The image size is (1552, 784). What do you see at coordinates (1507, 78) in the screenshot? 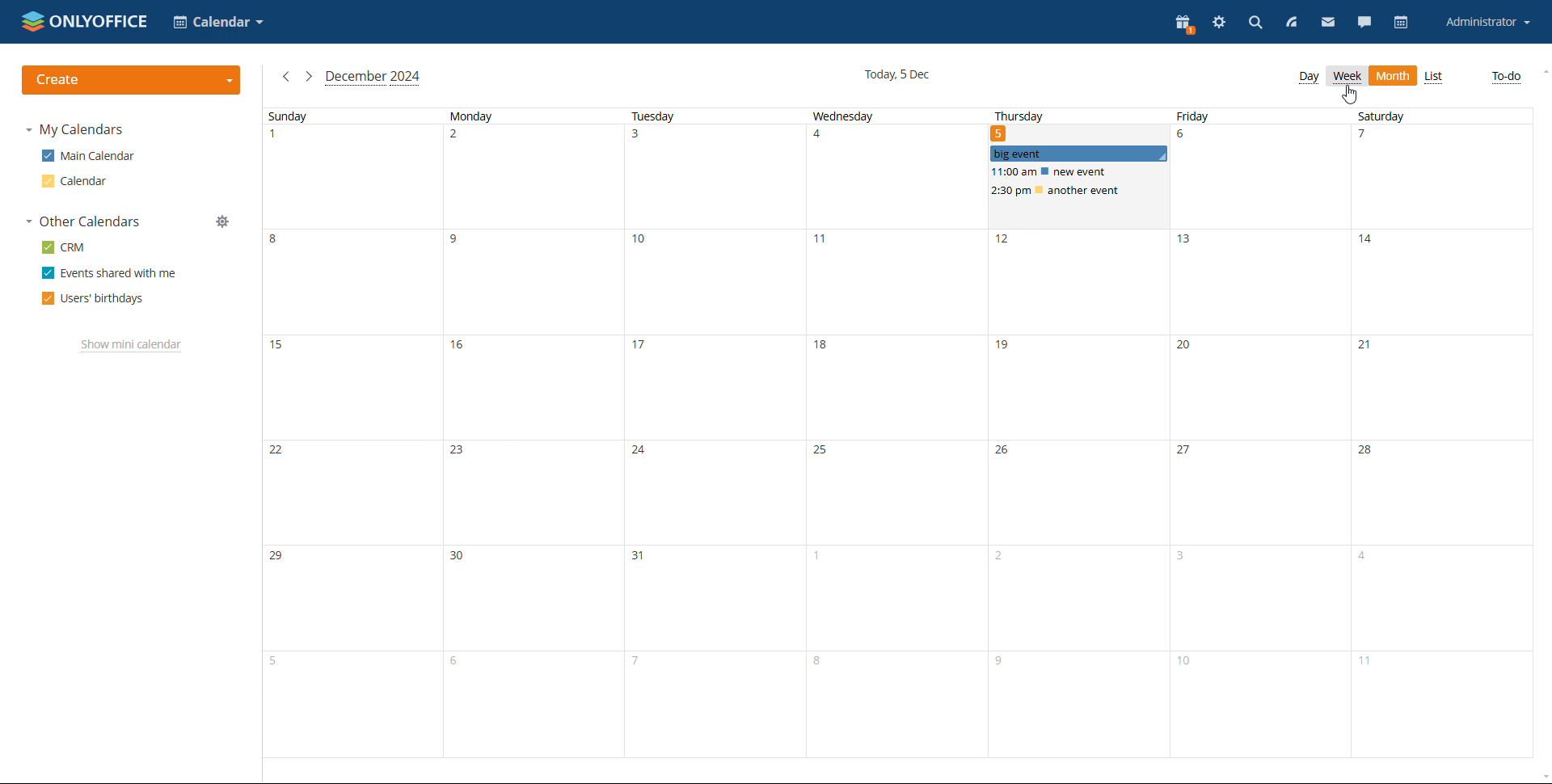
I see `to-do` at bounding box center [1507, 78].